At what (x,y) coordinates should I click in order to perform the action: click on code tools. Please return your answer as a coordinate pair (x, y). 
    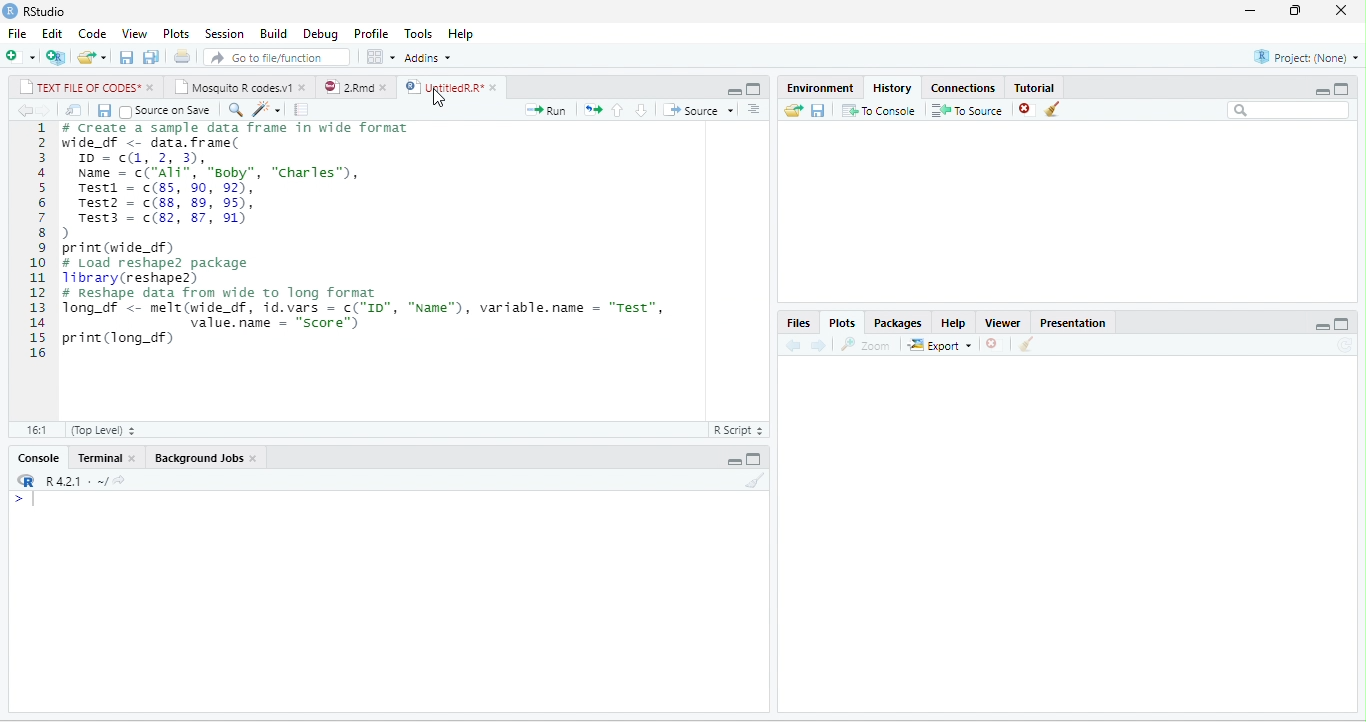
    Looking at the image, I should click on (267, 109).